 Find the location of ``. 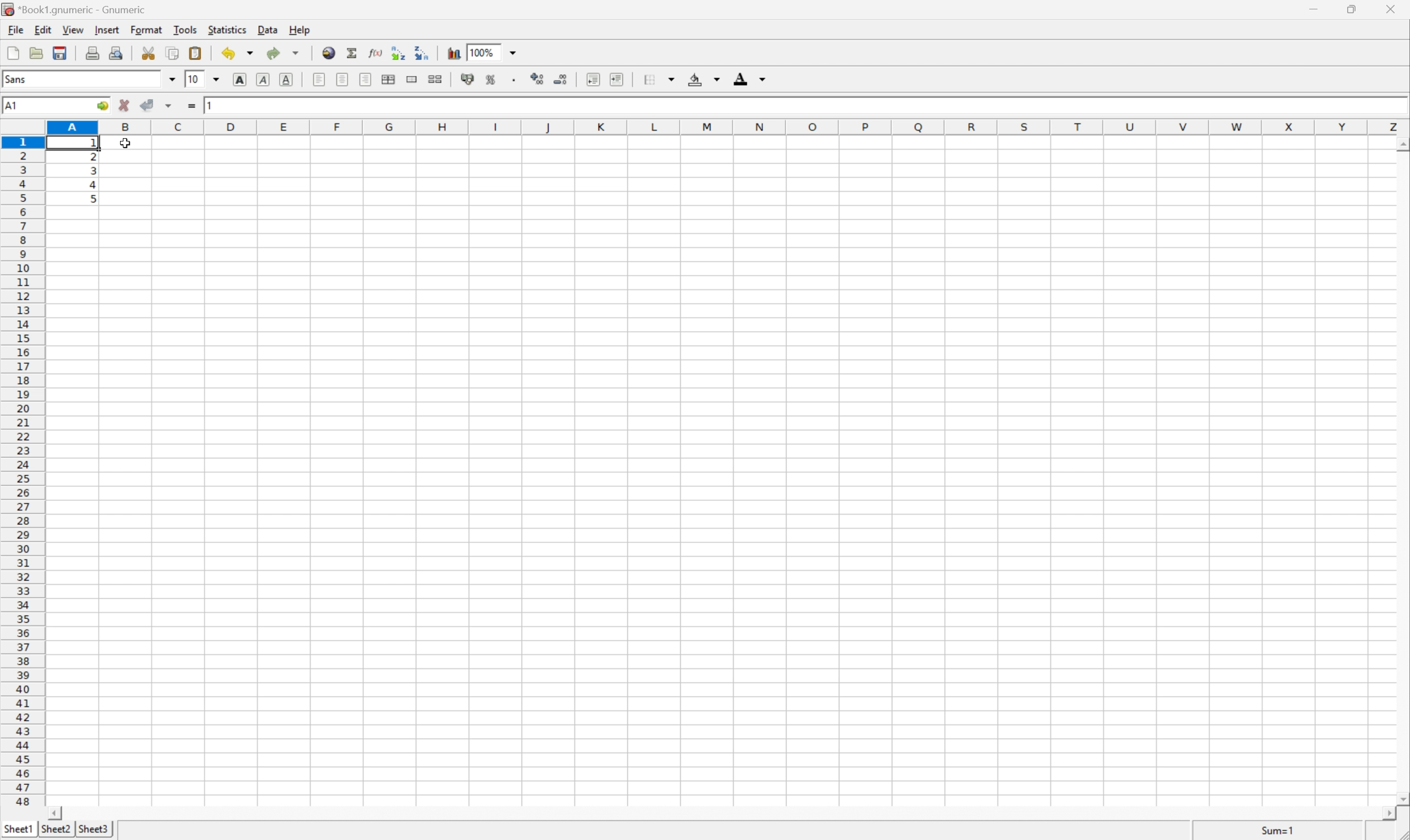

 is located at coordinates (91, 142).